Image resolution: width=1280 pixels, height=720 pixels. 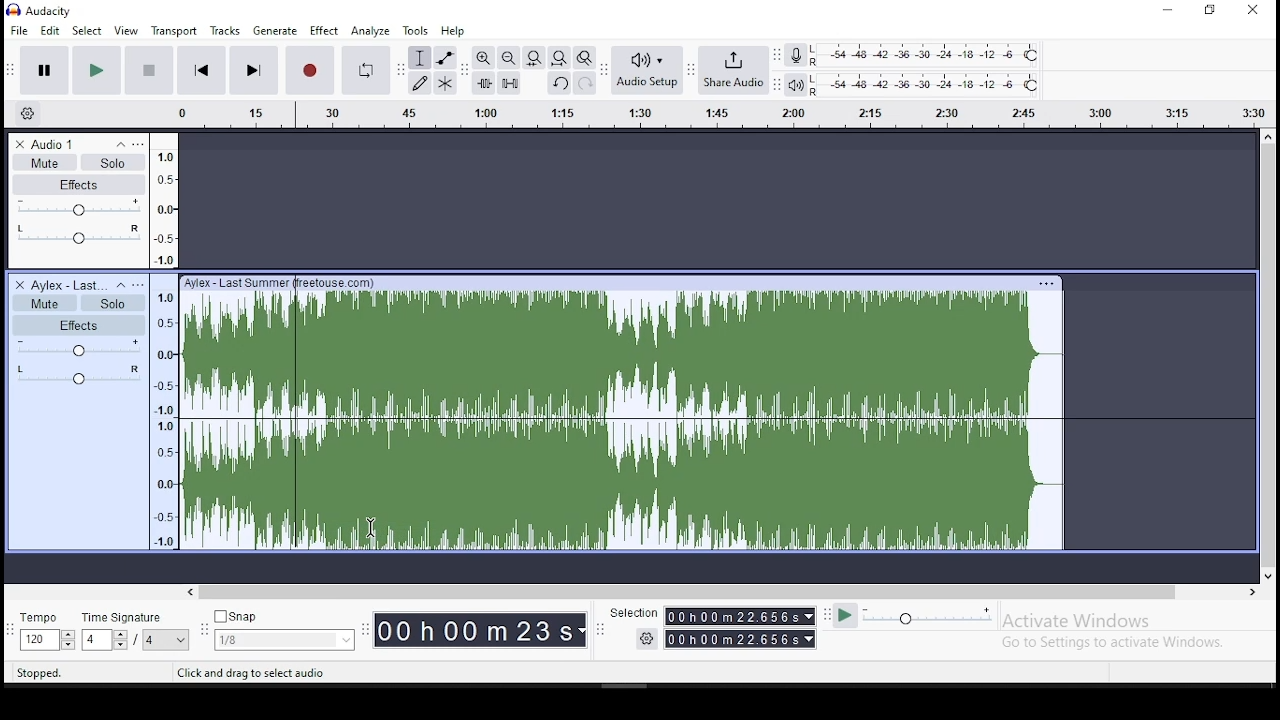 What do you see at coordinates (284, 630) in the screenshot?
I see `snap` at bounding box center [284, 630].